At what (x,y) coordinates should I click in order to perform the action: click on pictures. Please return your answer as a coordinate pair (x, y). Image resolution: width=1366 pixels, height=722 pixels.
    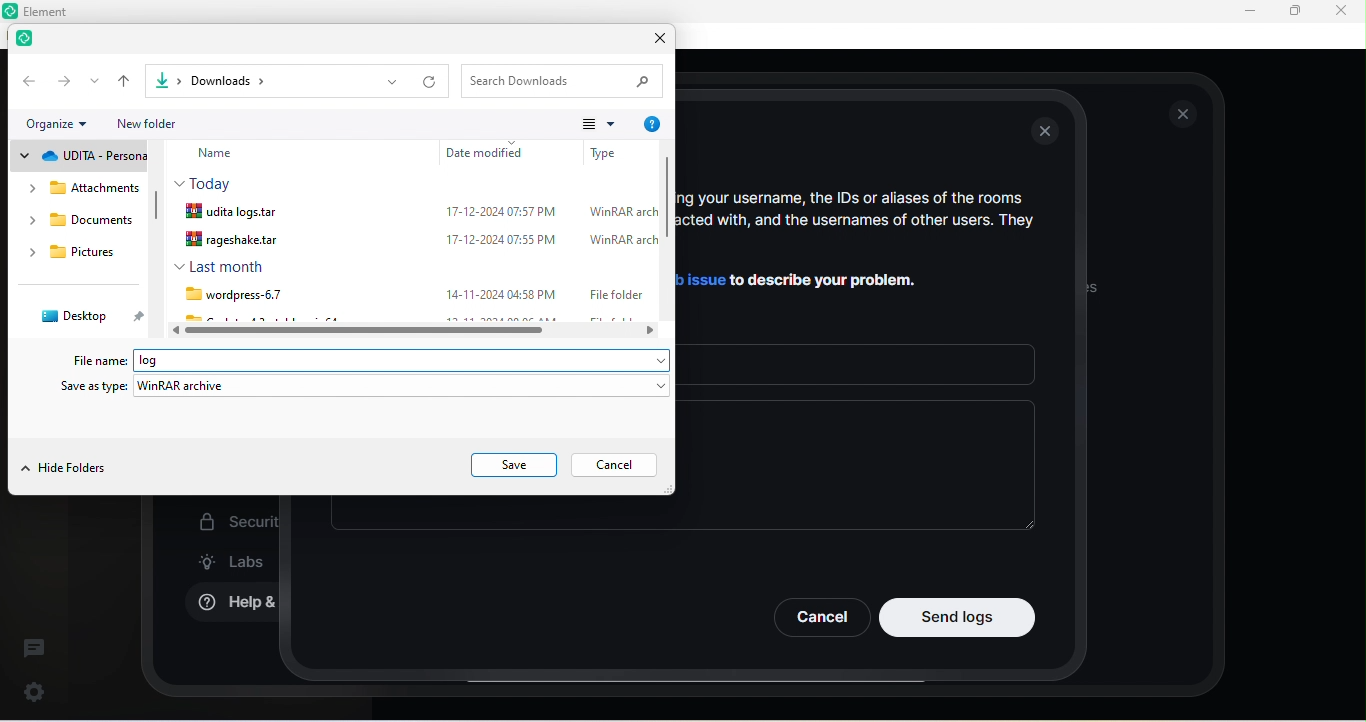
    Looking at the image, I should click on (81, 255).